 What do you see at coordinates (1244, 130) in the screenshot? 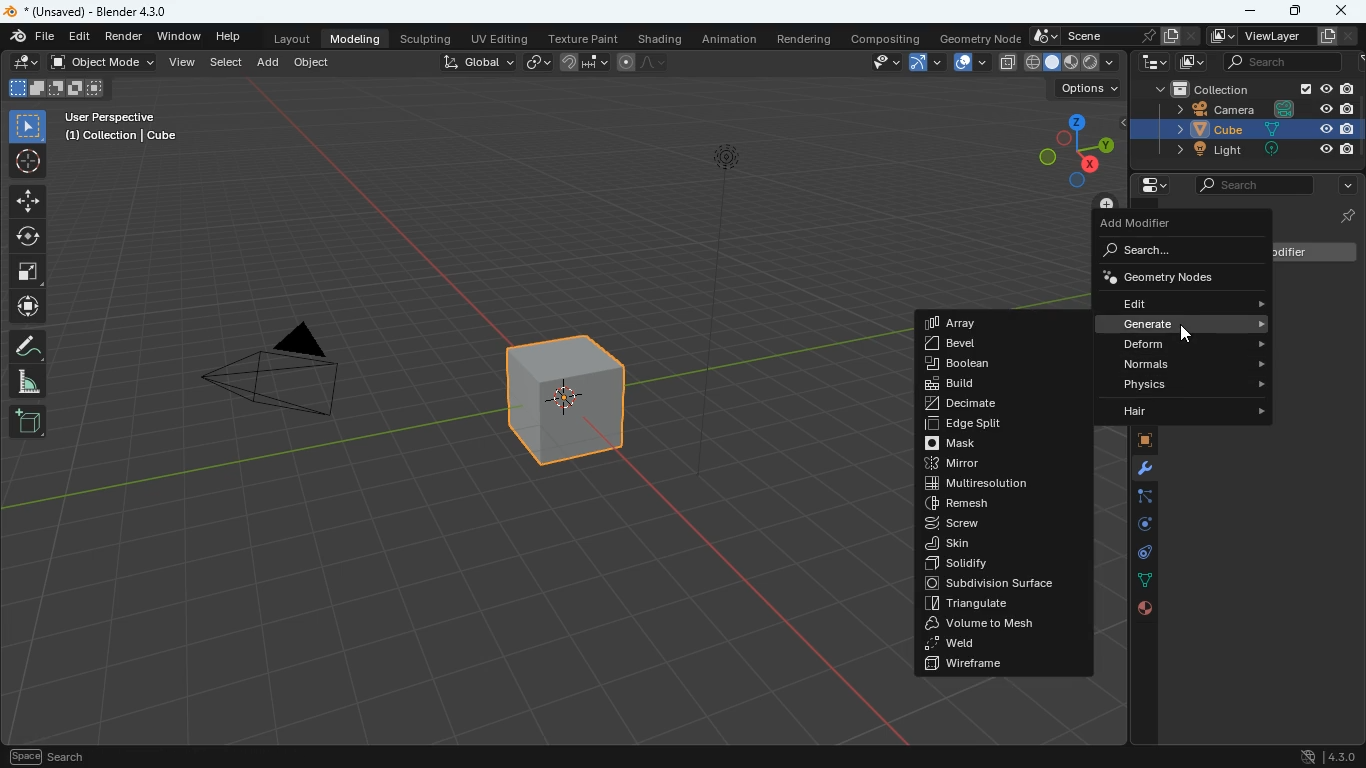
I see `cube` at bounding box center [1244, 130].